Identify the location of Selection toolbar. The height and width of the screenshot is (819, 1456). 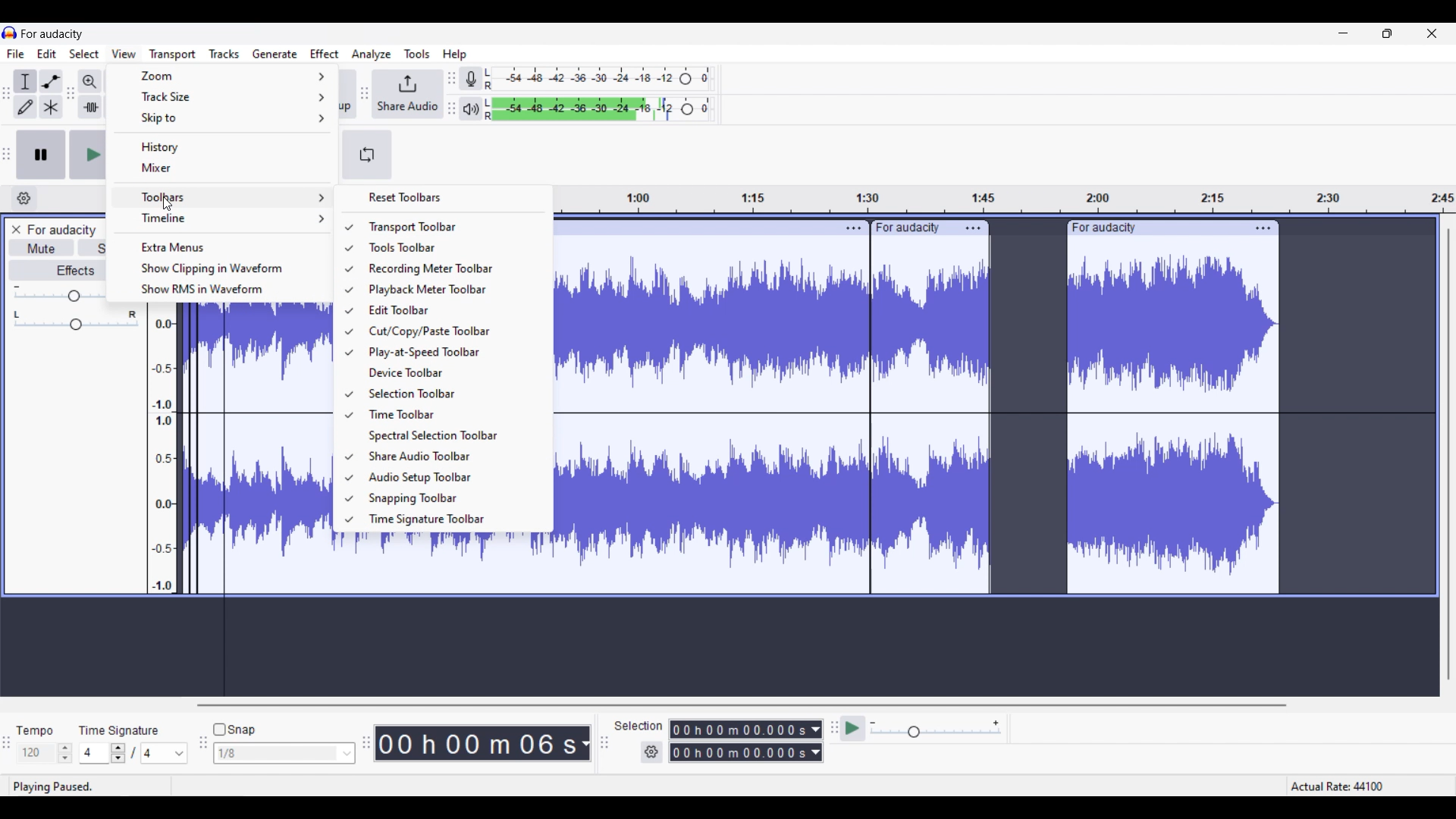
(450, 393).